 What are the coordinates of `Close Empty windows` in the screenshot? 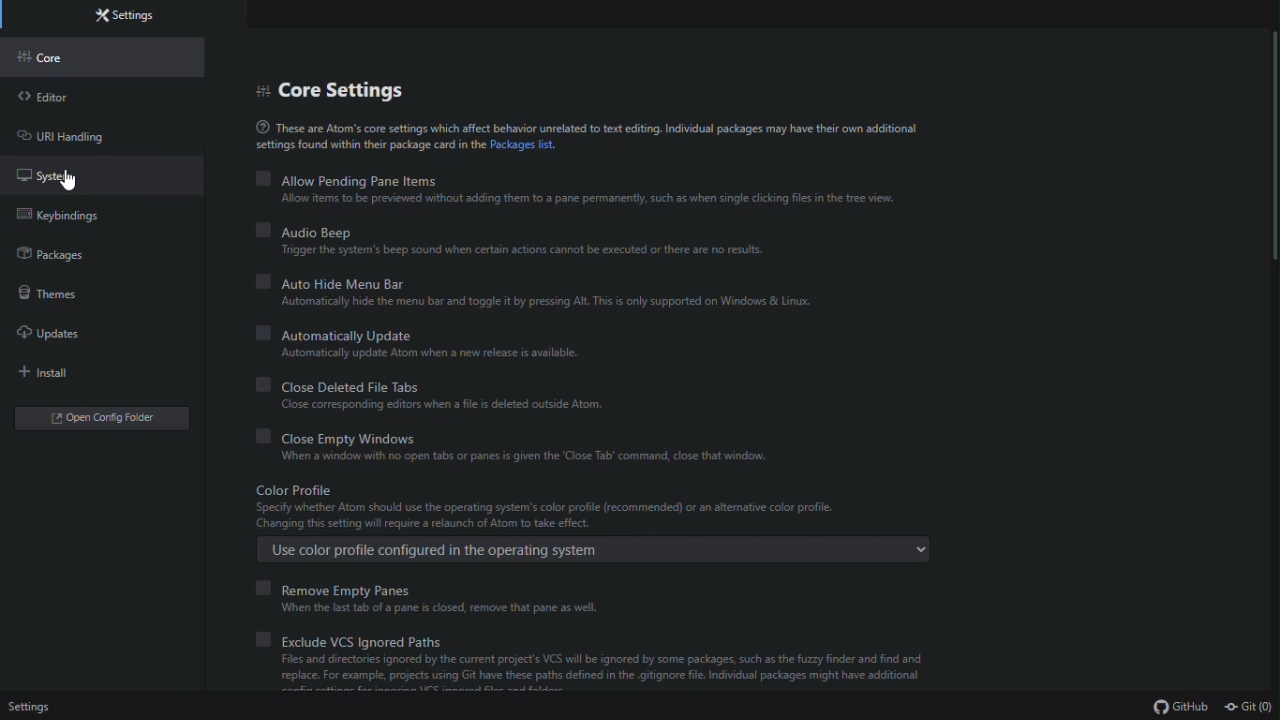 It's located at (332, 436).